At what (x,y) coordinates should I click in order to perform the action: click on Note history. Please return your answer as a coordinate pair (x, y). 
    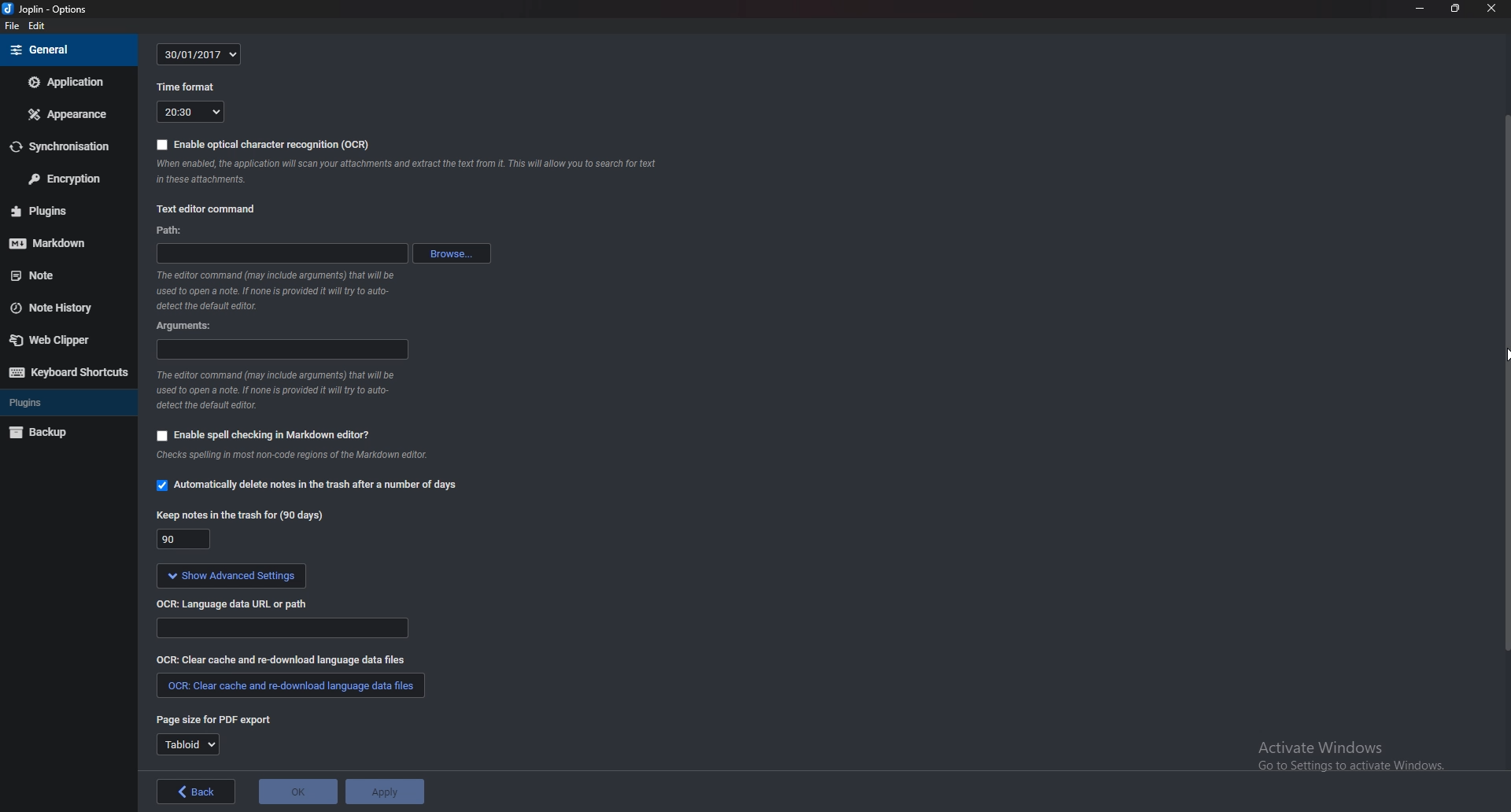
    Looking at the image, I should click on (62, 306).